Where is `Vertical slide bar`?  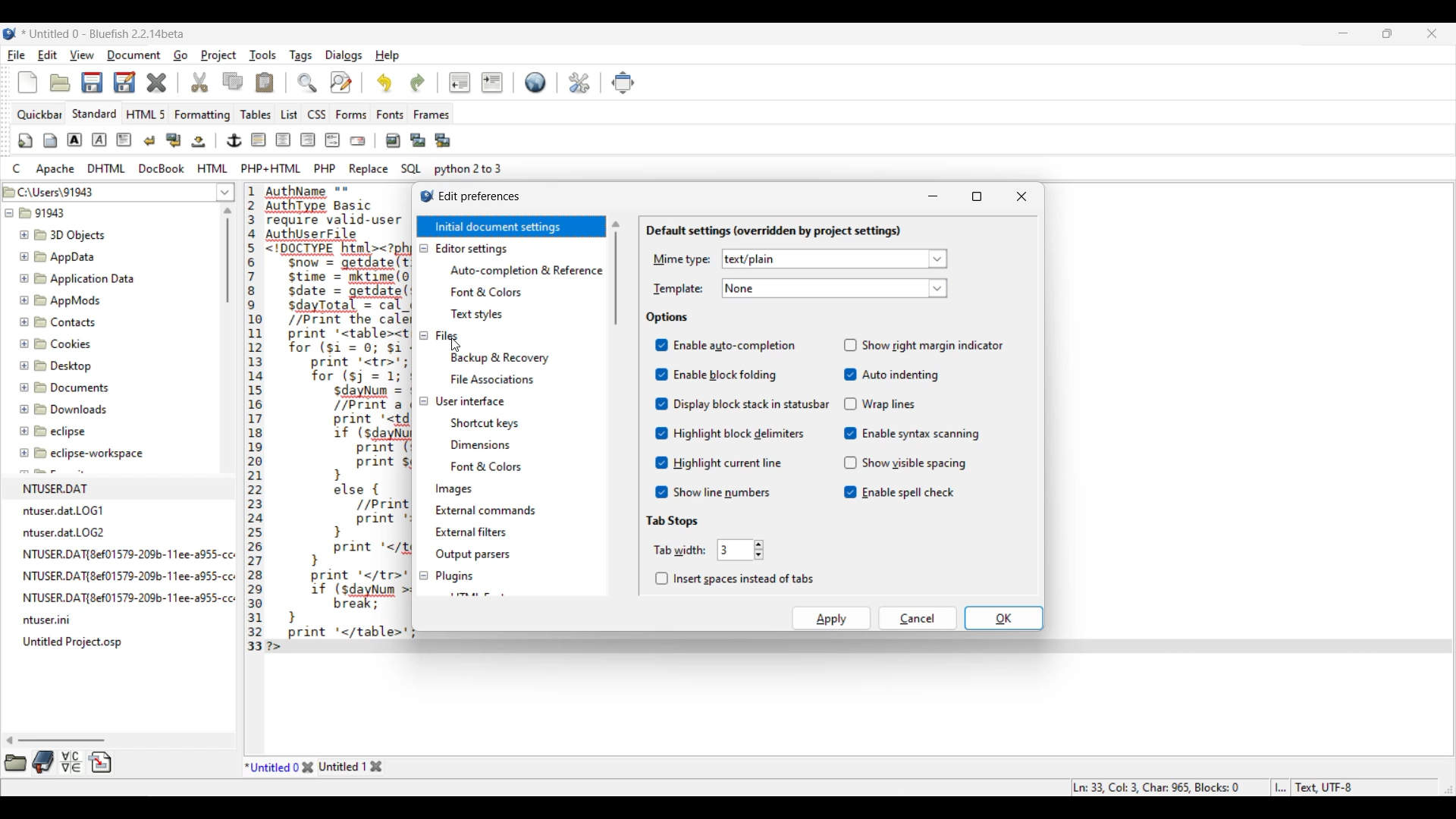
Vertical slide bar is located at coordinates (616, 273).